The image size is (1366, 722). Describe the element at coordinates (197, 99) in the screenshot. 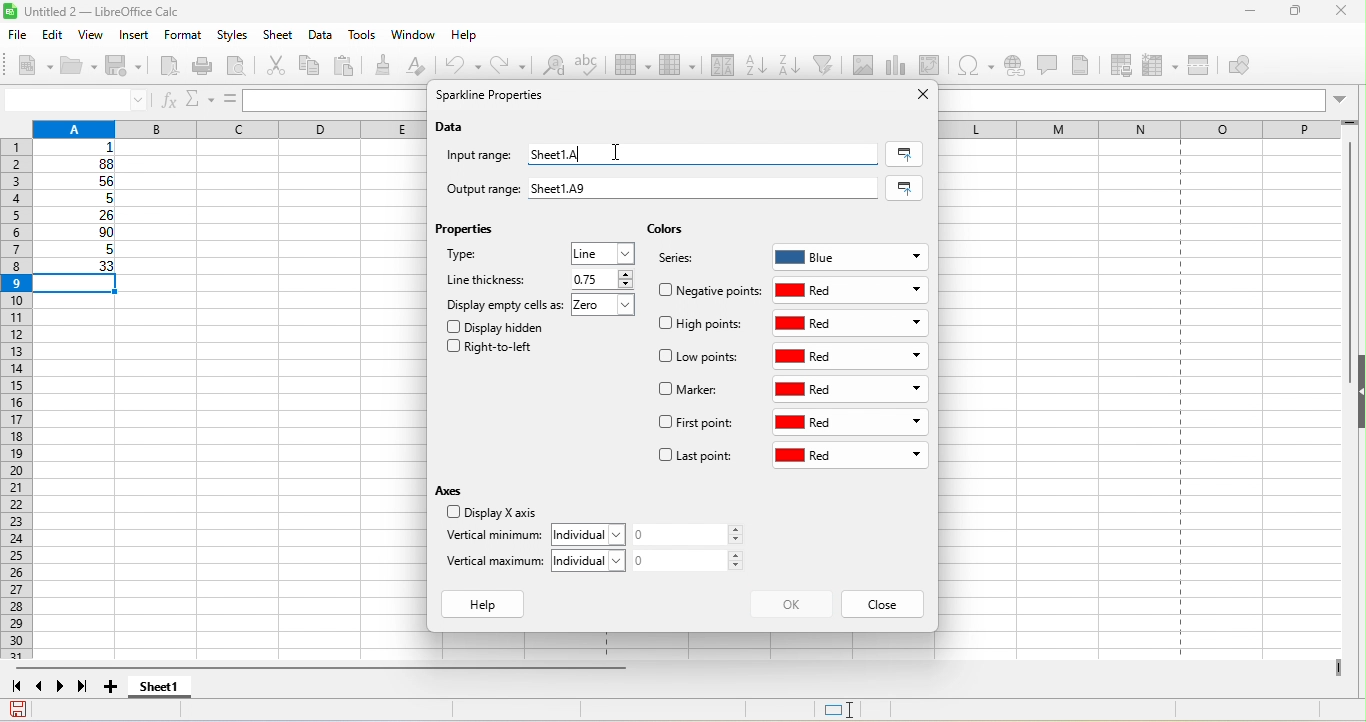

I see `select function` at that location.